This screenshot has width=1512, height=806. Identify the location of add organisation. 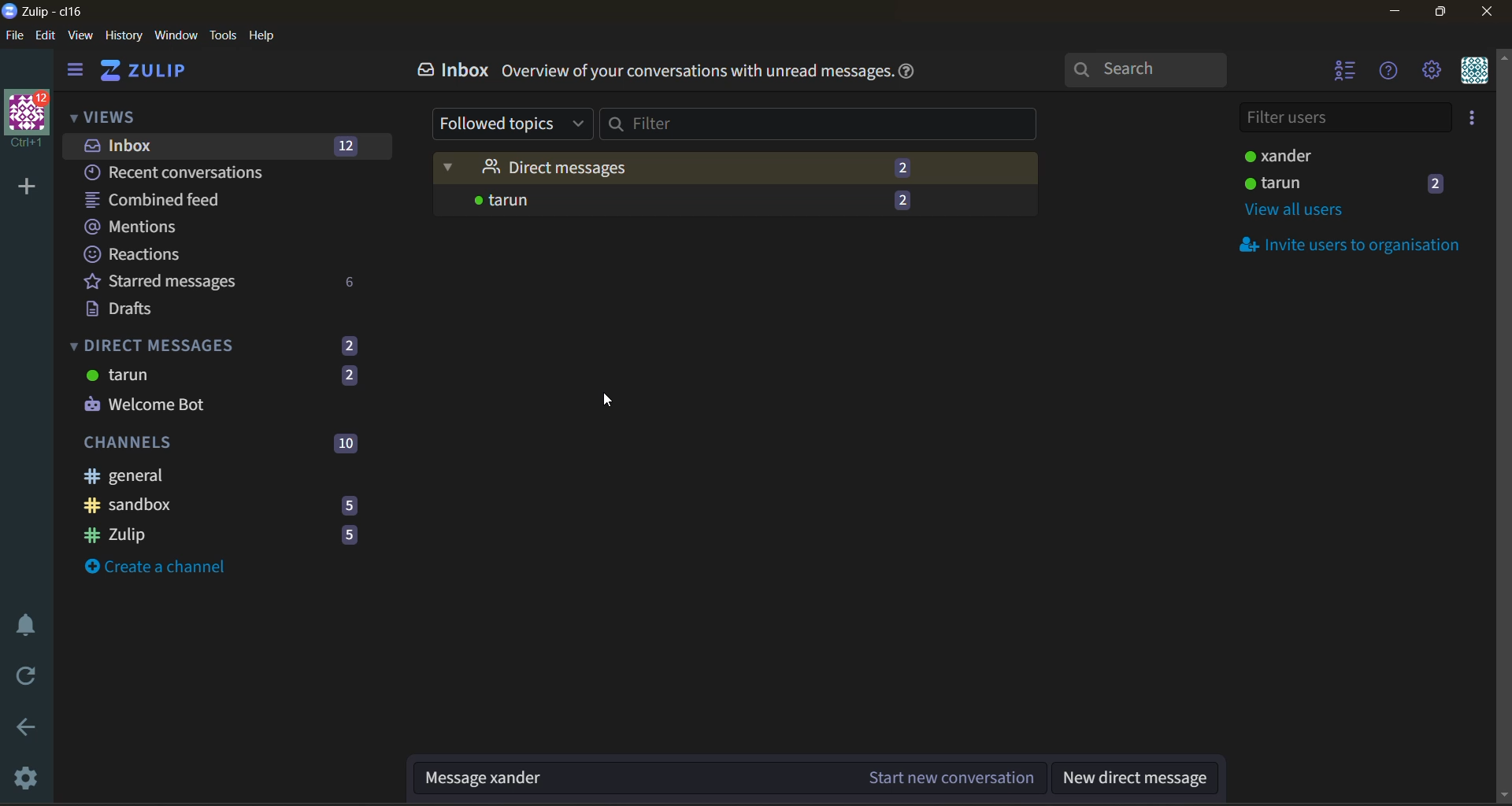
(27, 188).